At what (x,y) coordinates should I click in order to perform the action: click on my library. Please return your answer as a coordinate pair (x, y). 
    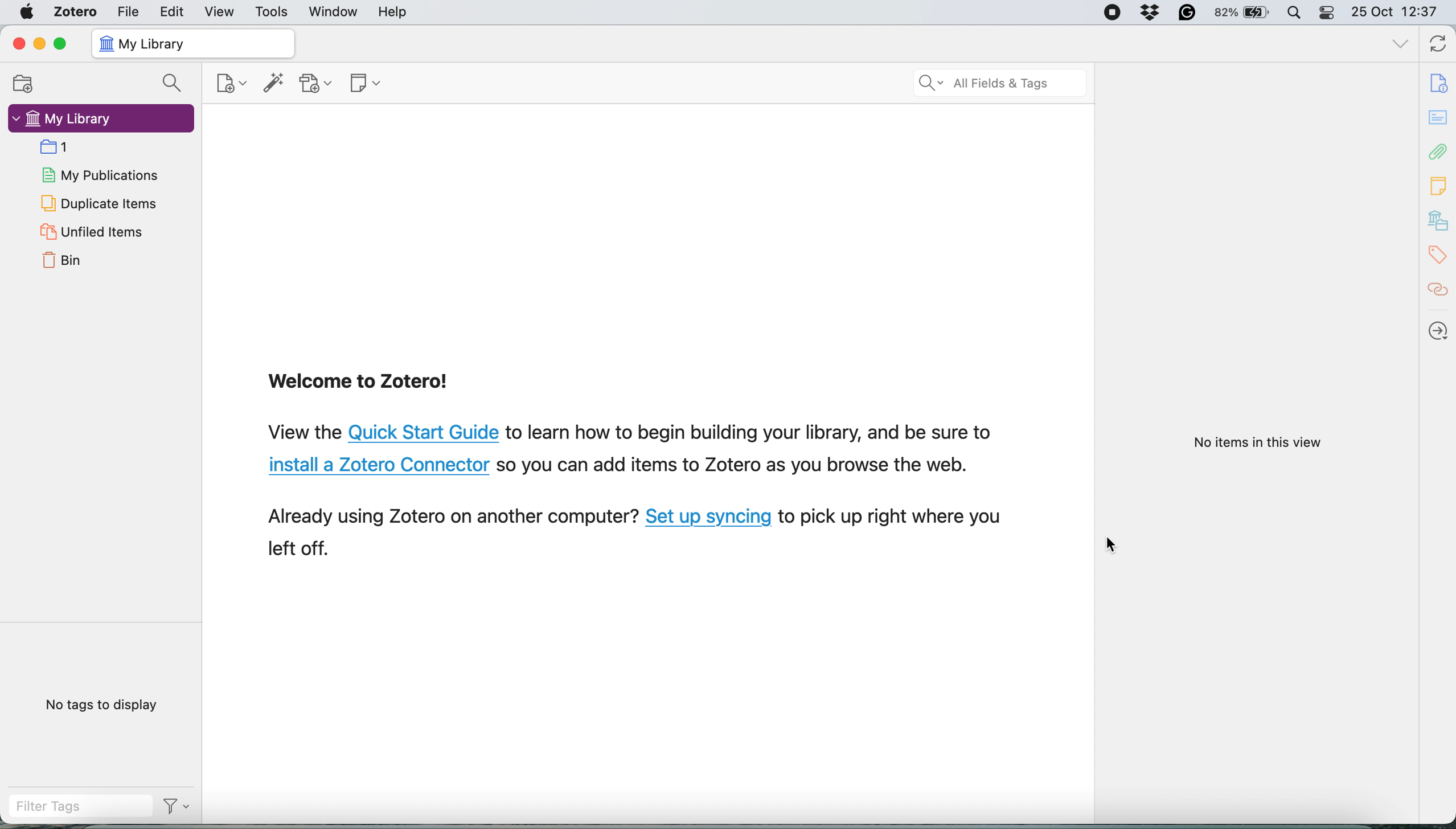
    Looking at the image, I should click on (1439, 219).